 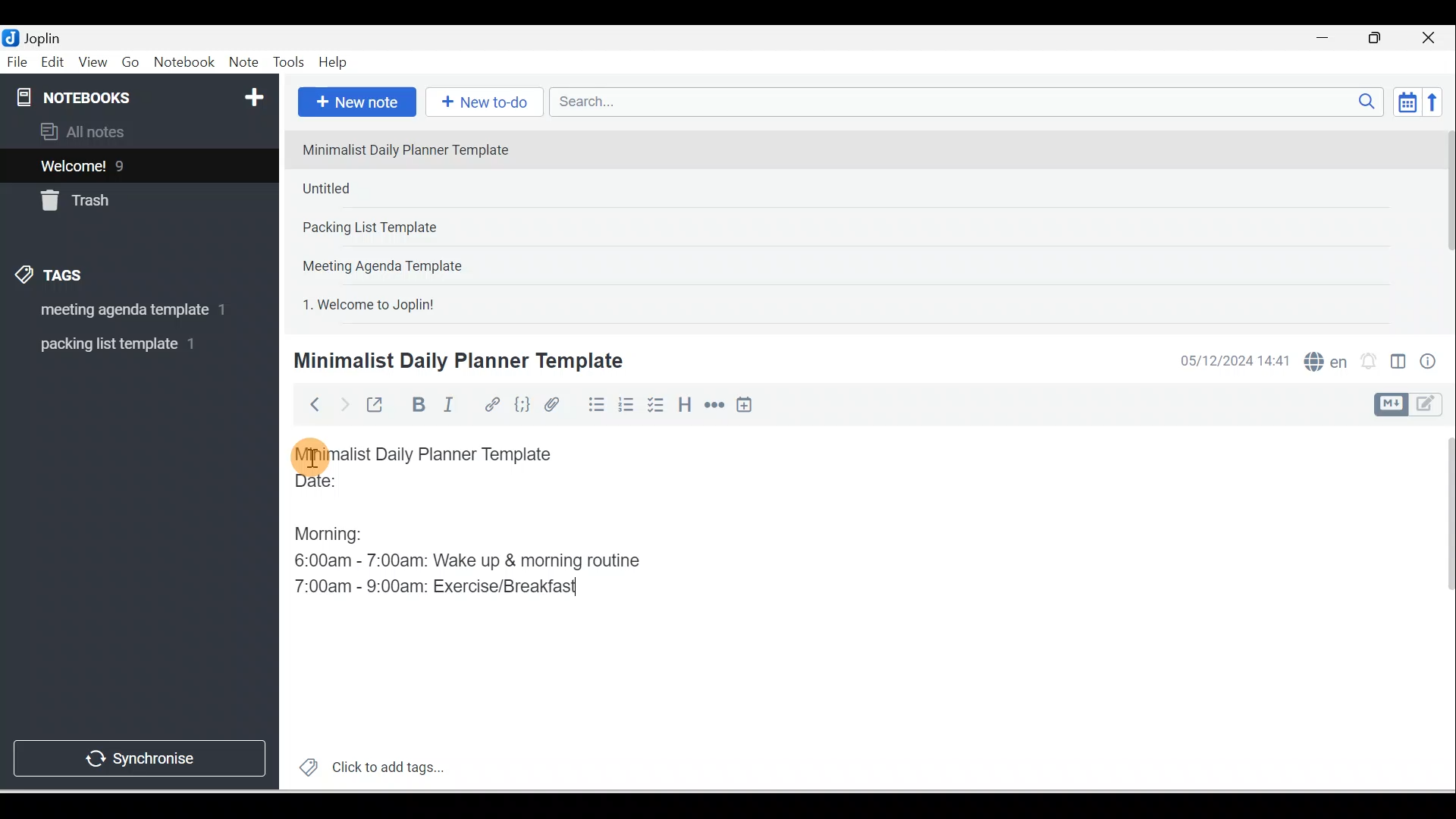 I want to click on Horizontal rule, so click(x=716, y=405).